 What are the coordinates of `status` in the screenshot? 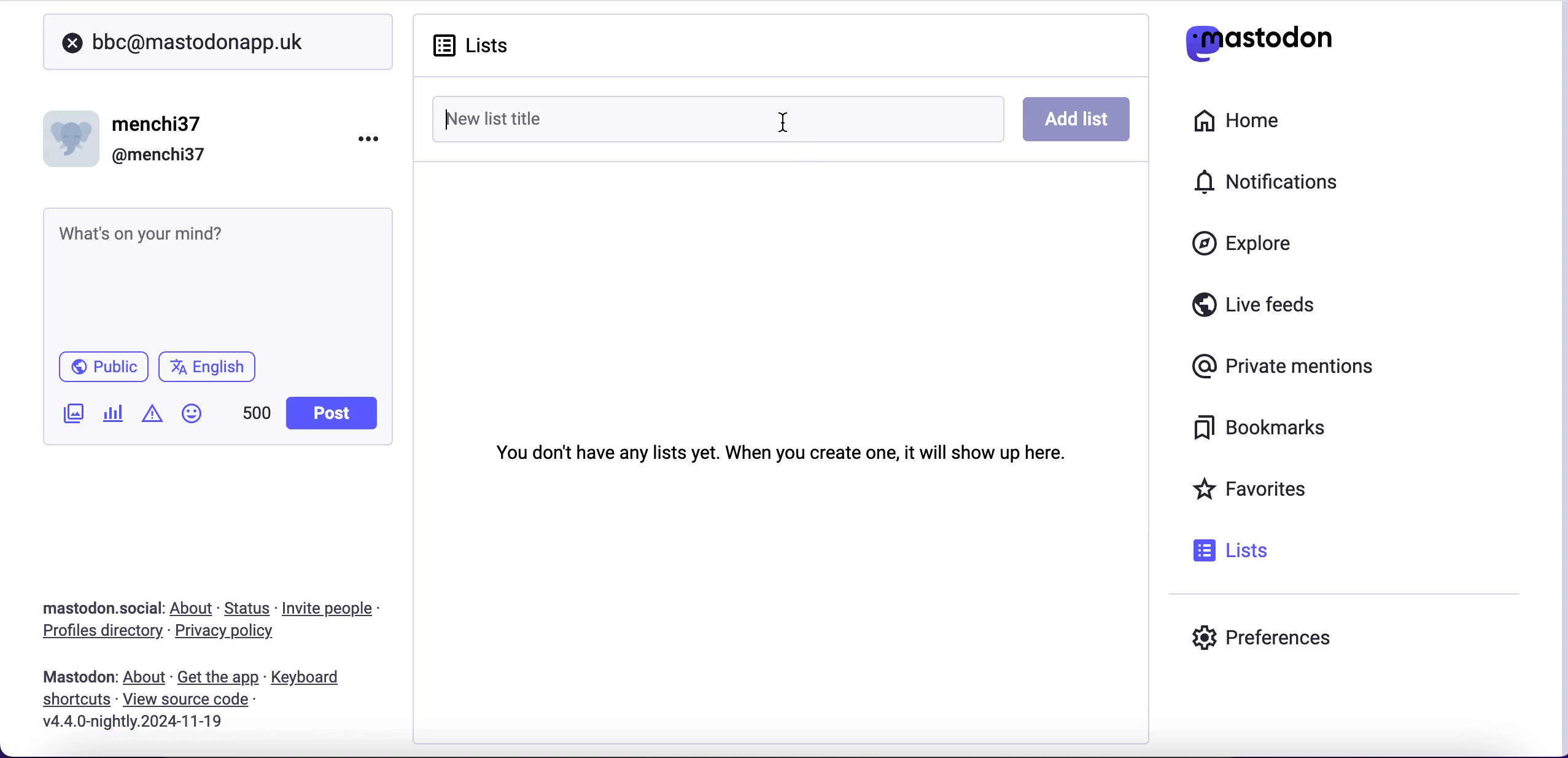 It's located at (249, 608).